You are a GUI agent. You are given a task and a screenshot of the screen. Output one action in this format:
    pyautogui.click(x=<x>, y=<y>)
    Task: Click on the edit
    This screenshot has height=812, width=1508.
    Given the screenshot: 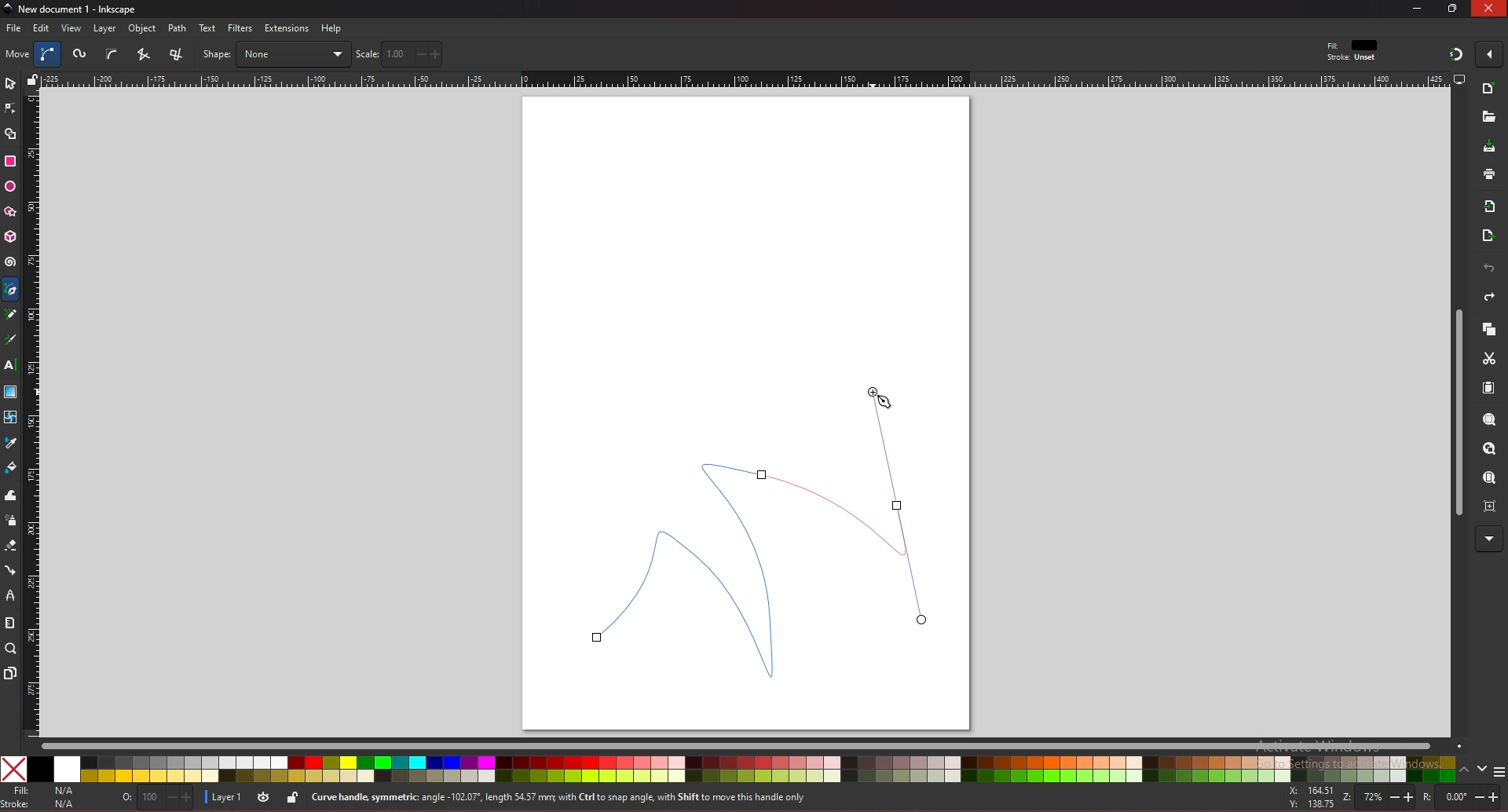 What is the action you would take?
    pyautogui.click(x=42, y=27)
    